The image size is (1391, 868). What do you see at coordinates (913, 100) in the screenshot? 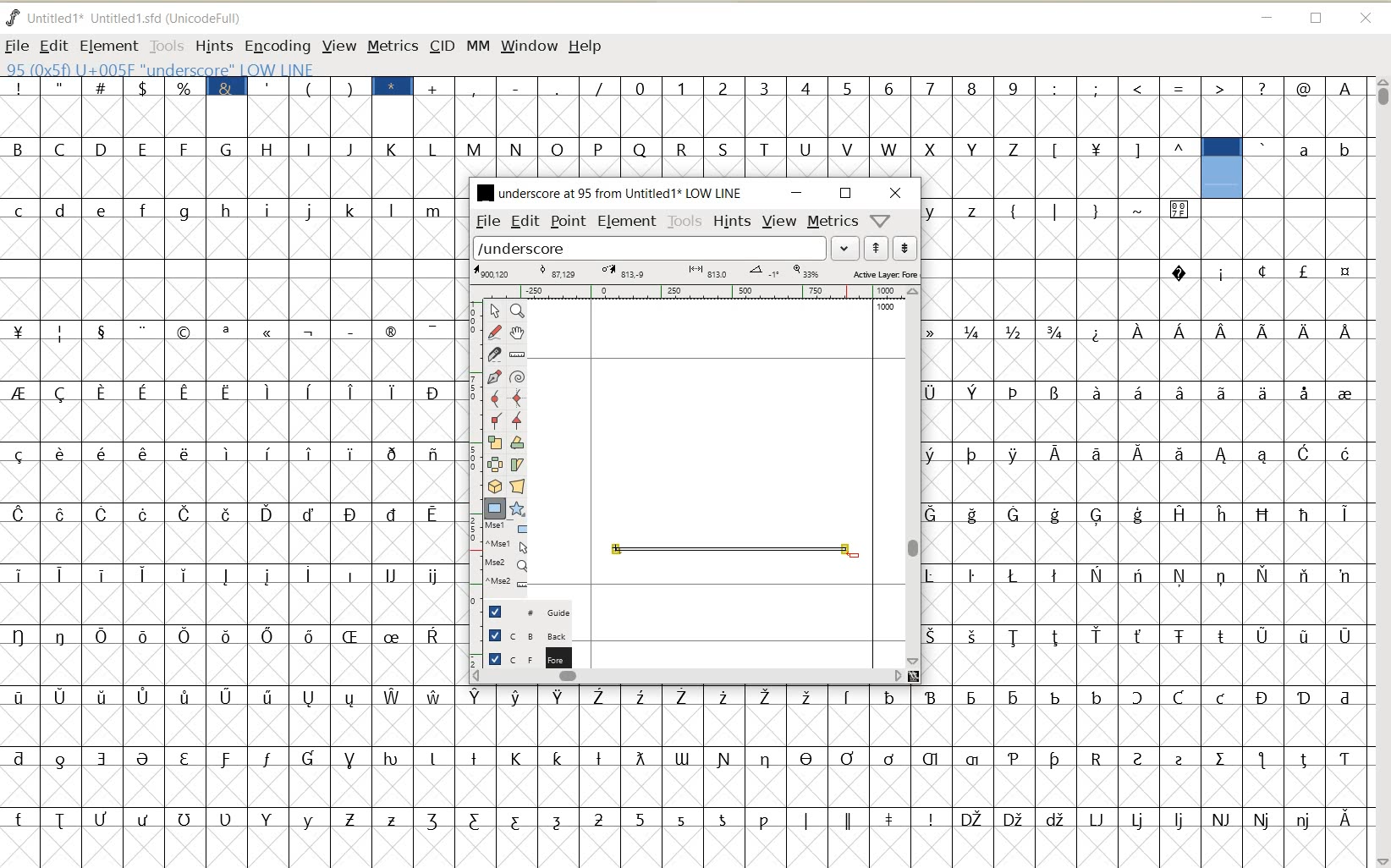
I see `GLYPHY CHARACTERS & NUMBERS` at bounding box center [913, 100].